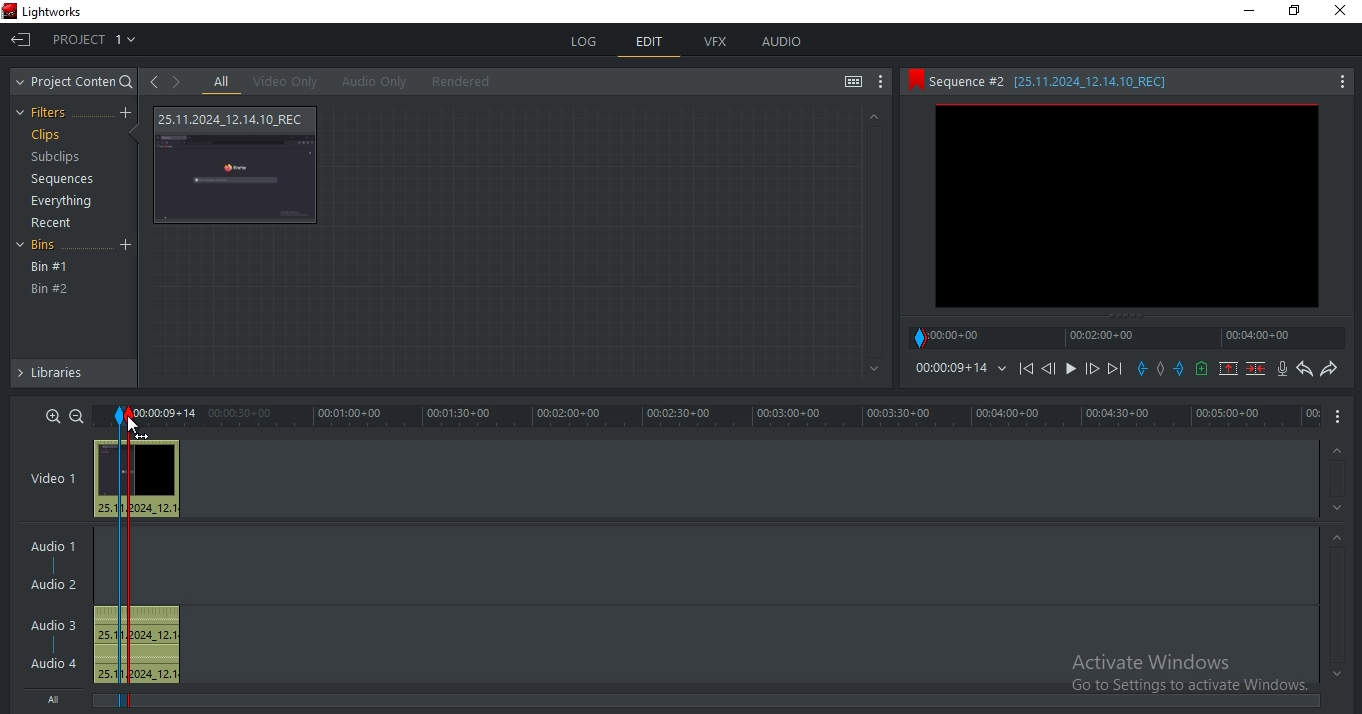 This screenshot has width=1362, height=714. What do you see at coordinates (120, 416) in the screenshot?
I see `mark` at bounding box center [120, 416].